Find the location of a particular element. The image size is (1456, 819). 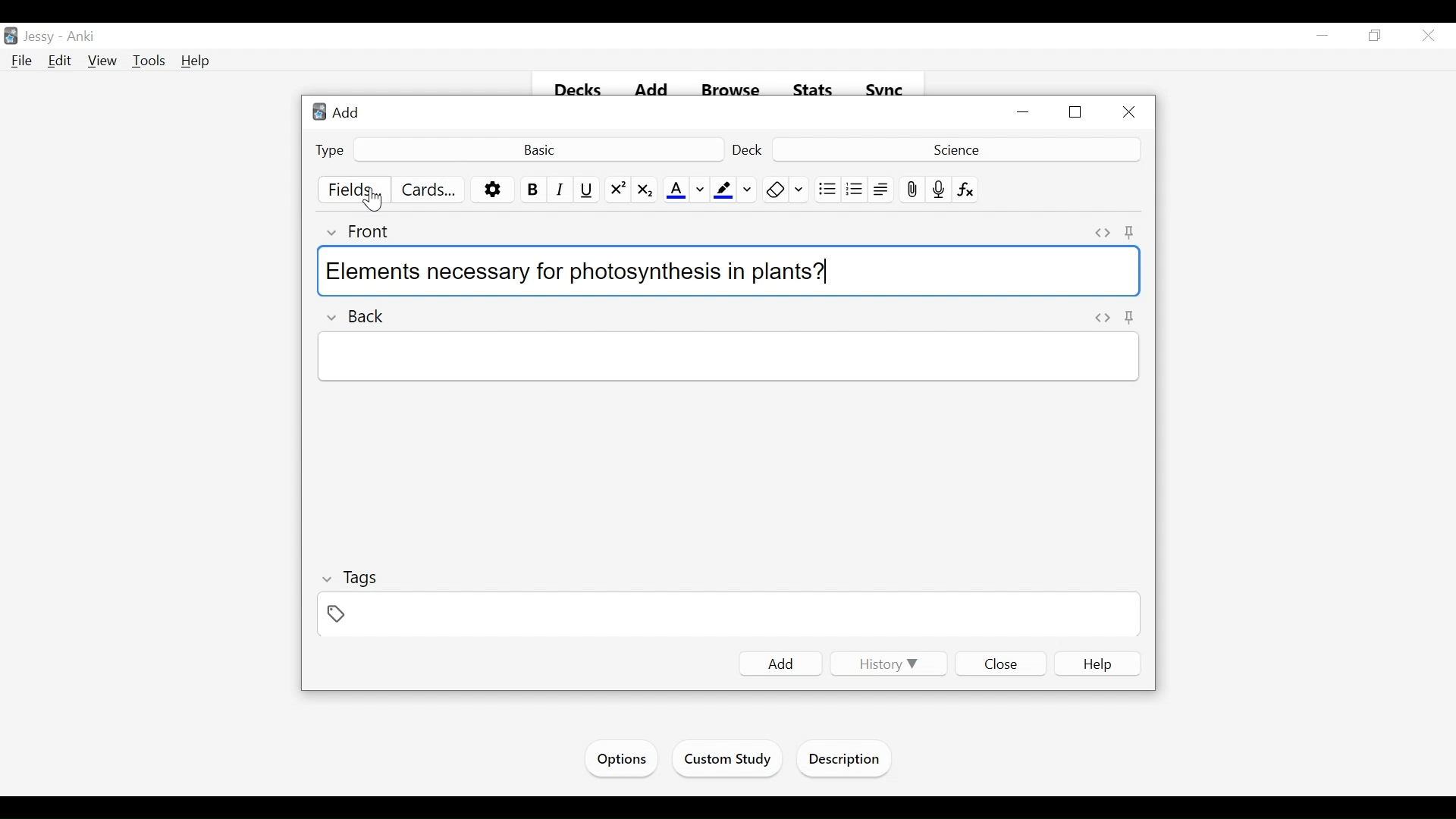

Unordered list is located at coordinates (827, 190).